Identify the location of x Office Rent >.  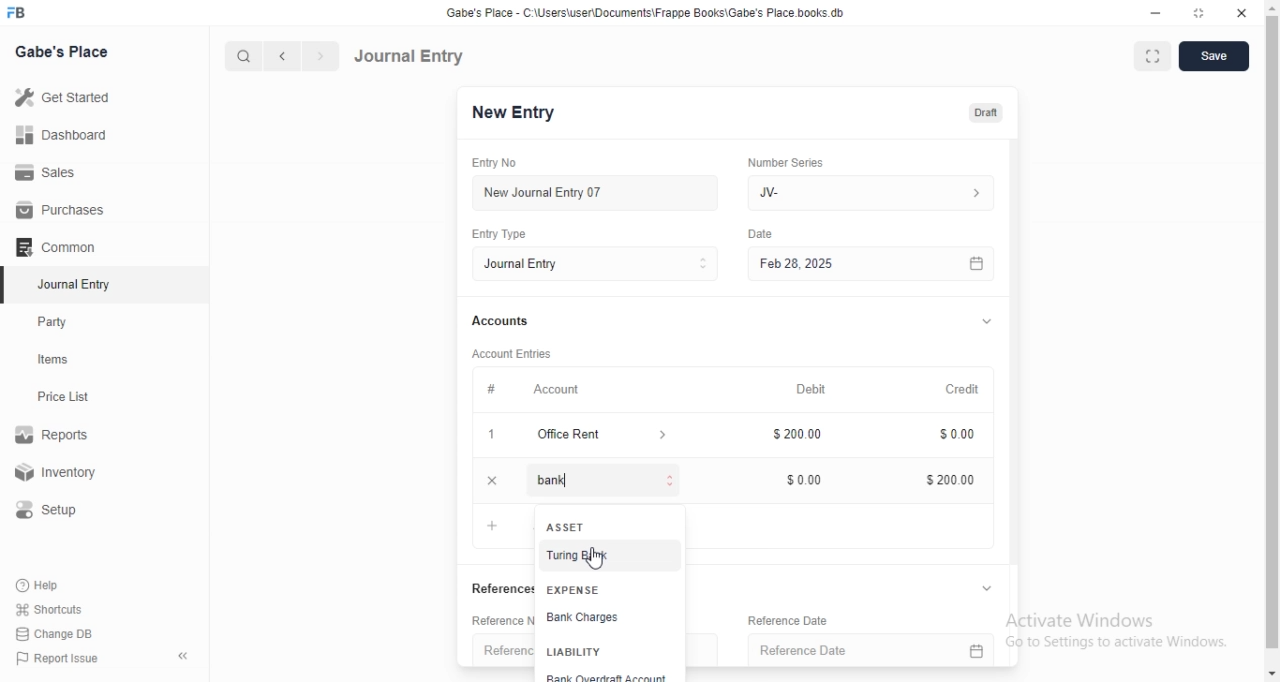
(588, 435).